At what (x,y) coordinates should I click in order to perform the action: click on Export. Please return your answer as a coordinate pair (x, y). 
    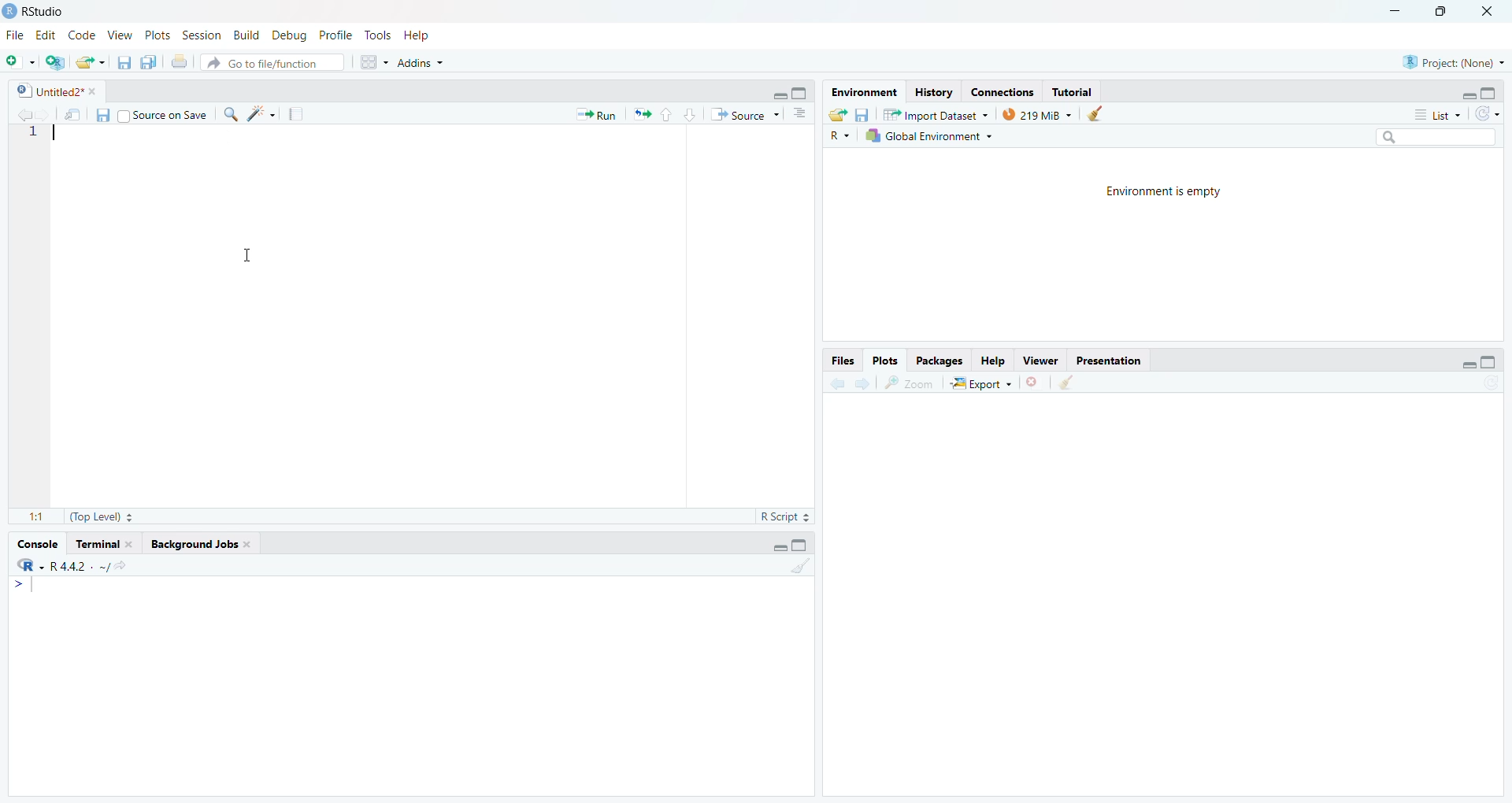
    Looking at the image, I should click on (980, 383).